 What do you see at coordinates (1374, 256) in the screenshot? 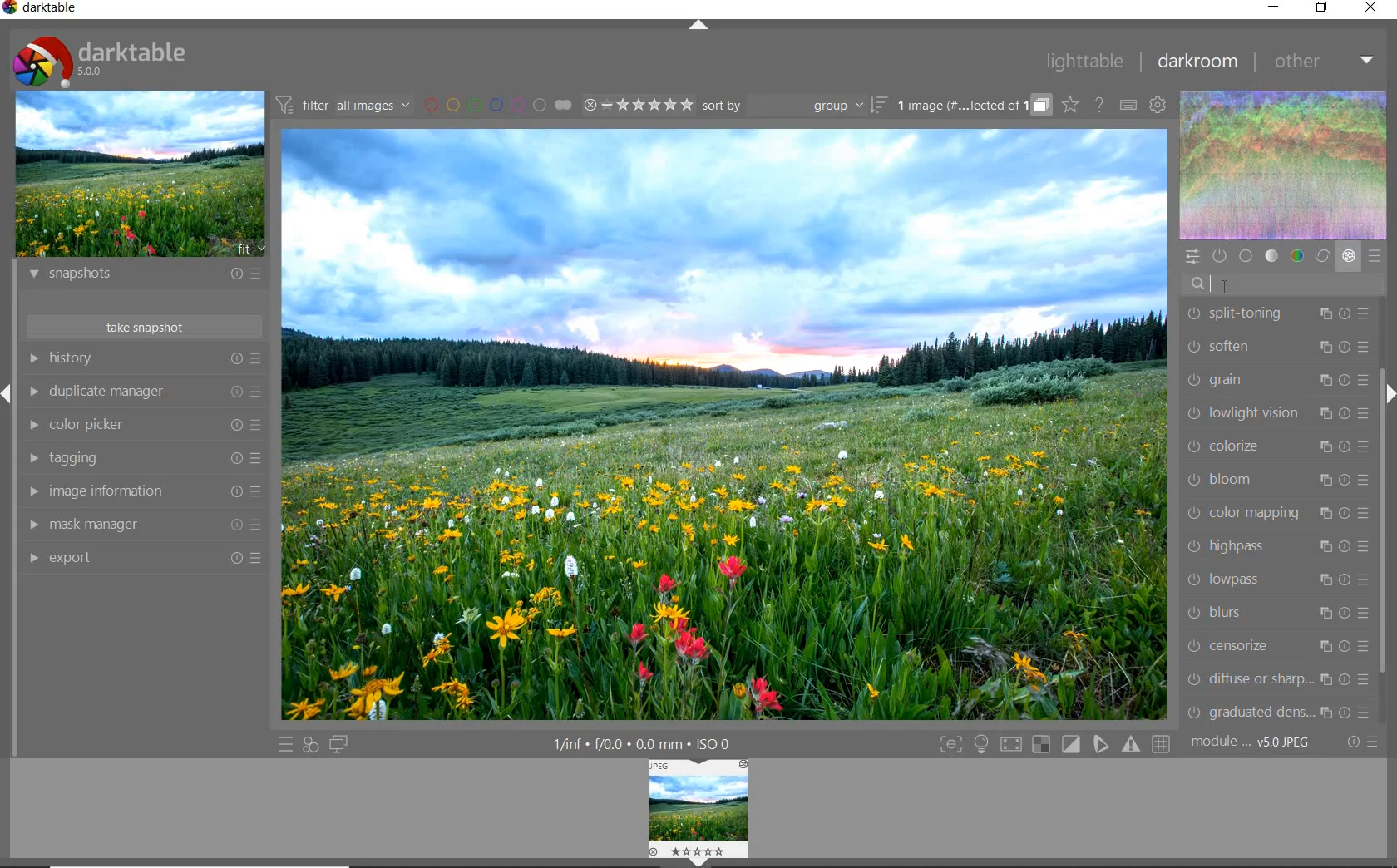
I see `presets` at bounding box center [1374, 256].